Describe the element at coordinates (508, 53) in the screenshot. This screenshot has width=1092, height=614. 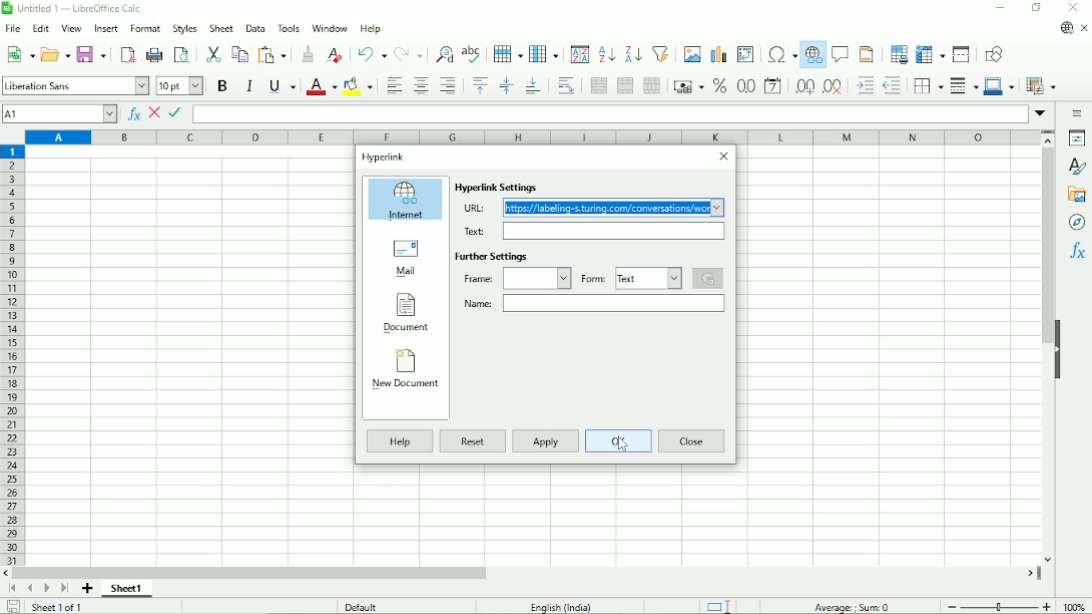
I see `Row` at that location.